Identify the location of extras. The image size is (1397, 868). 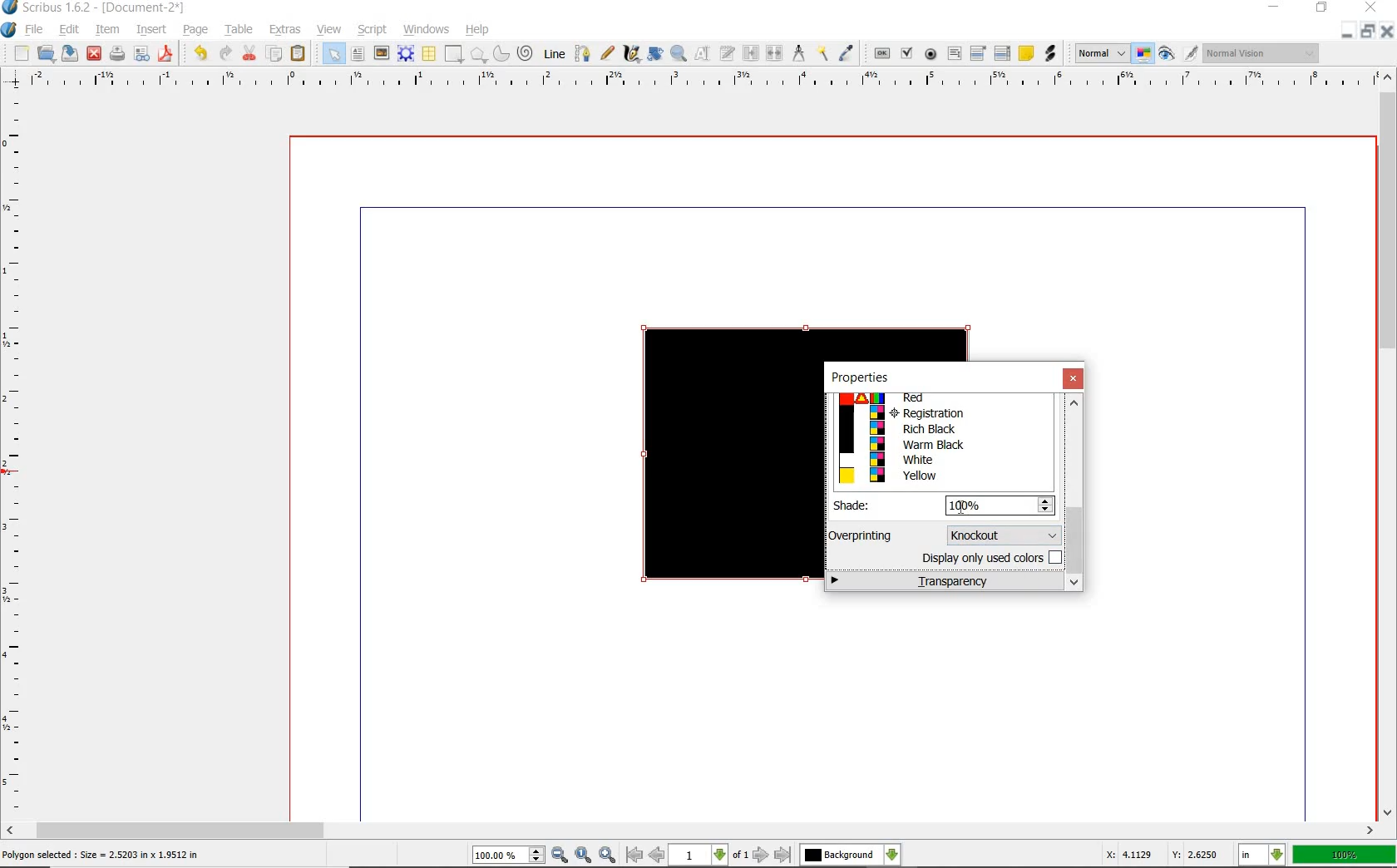
(286, 29).